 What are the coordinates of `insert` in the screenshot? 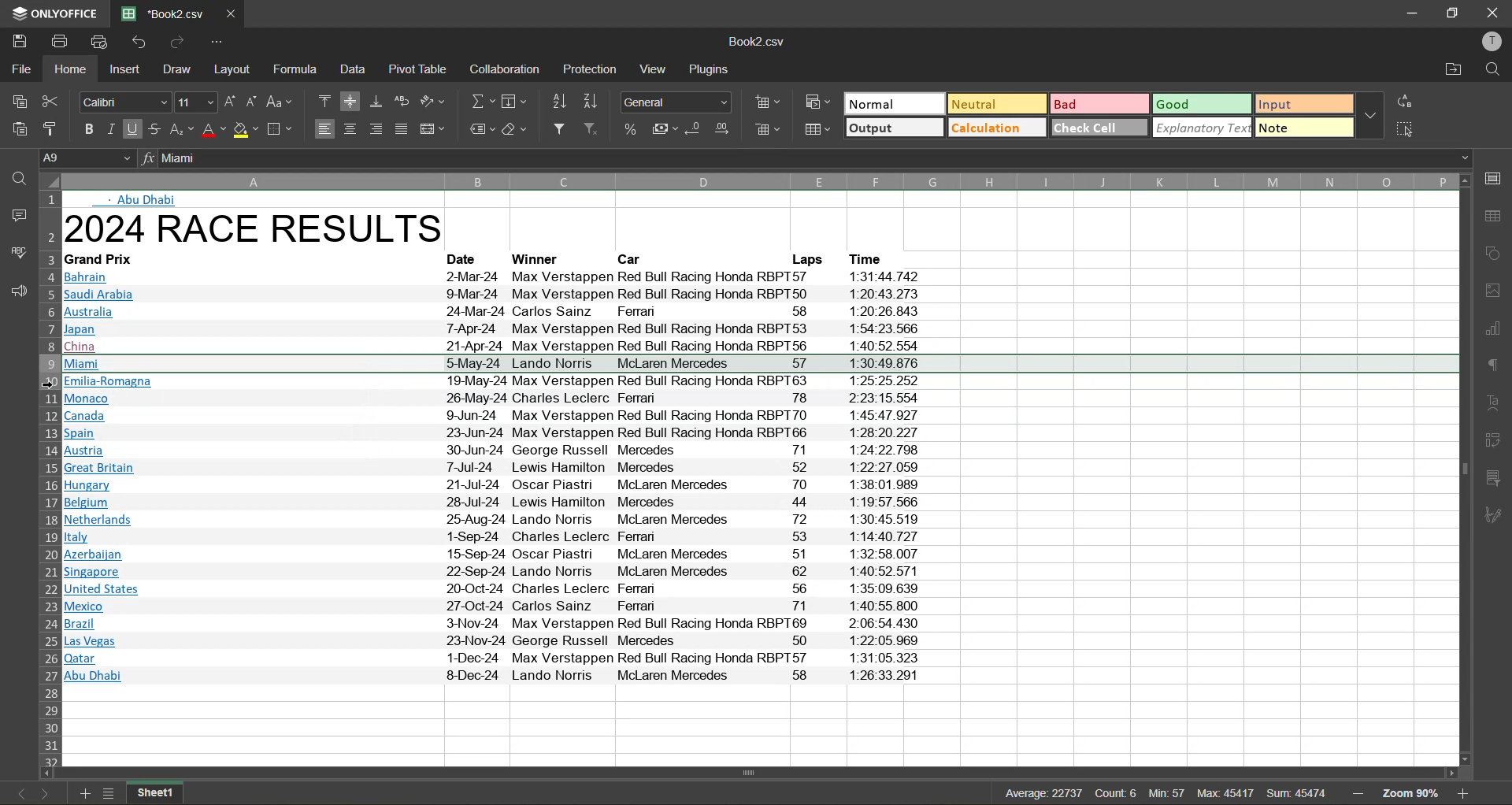 It's located at (124, 69).